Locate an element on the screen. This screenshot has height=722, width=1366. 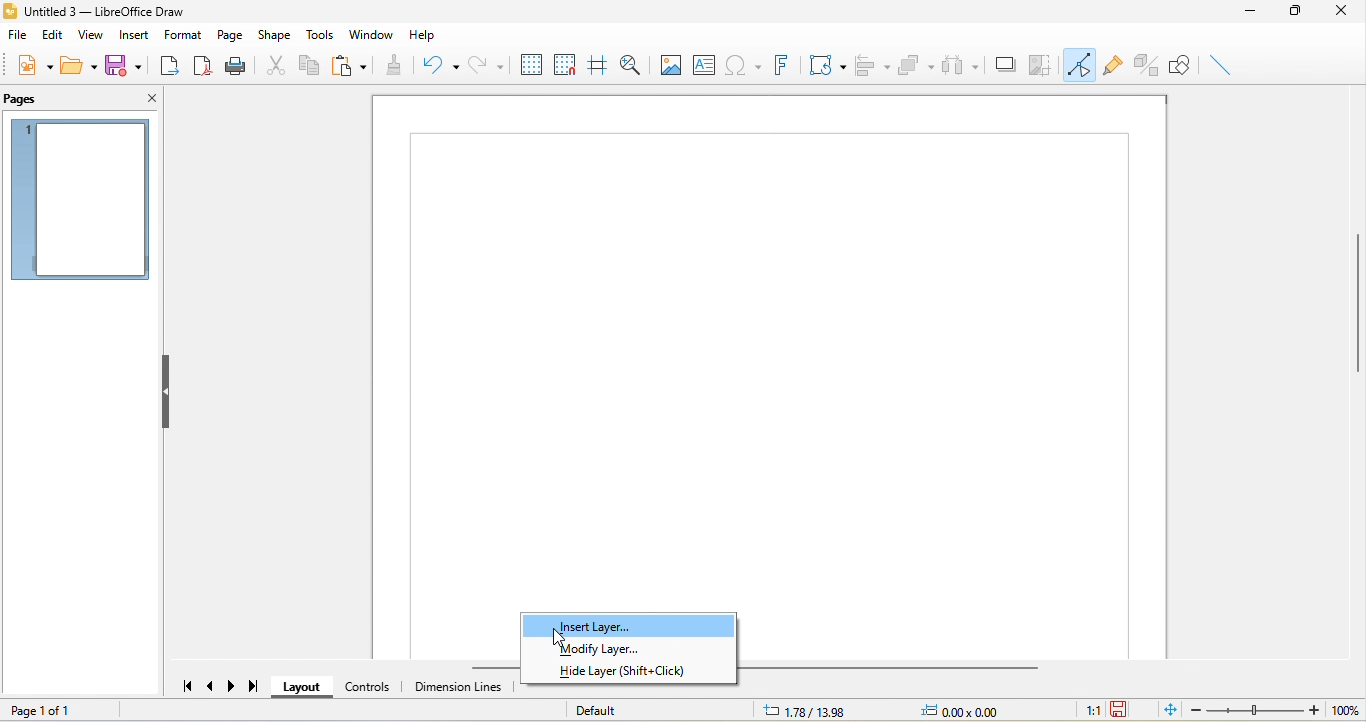
undo is located at coordinates (436, 64).